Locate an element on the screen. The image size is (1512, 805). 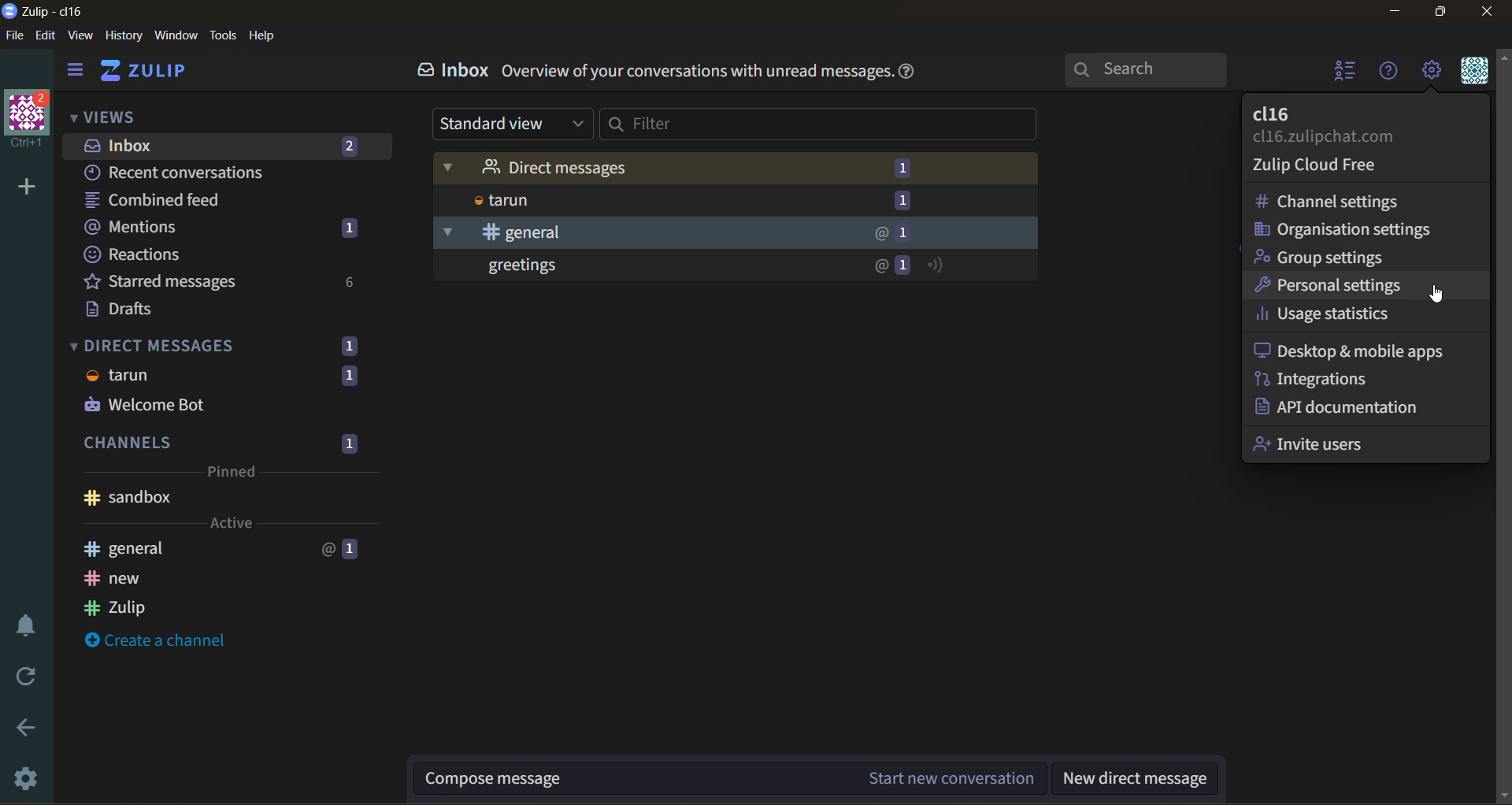
app name and organisation name is located at coordinates (51, 12).